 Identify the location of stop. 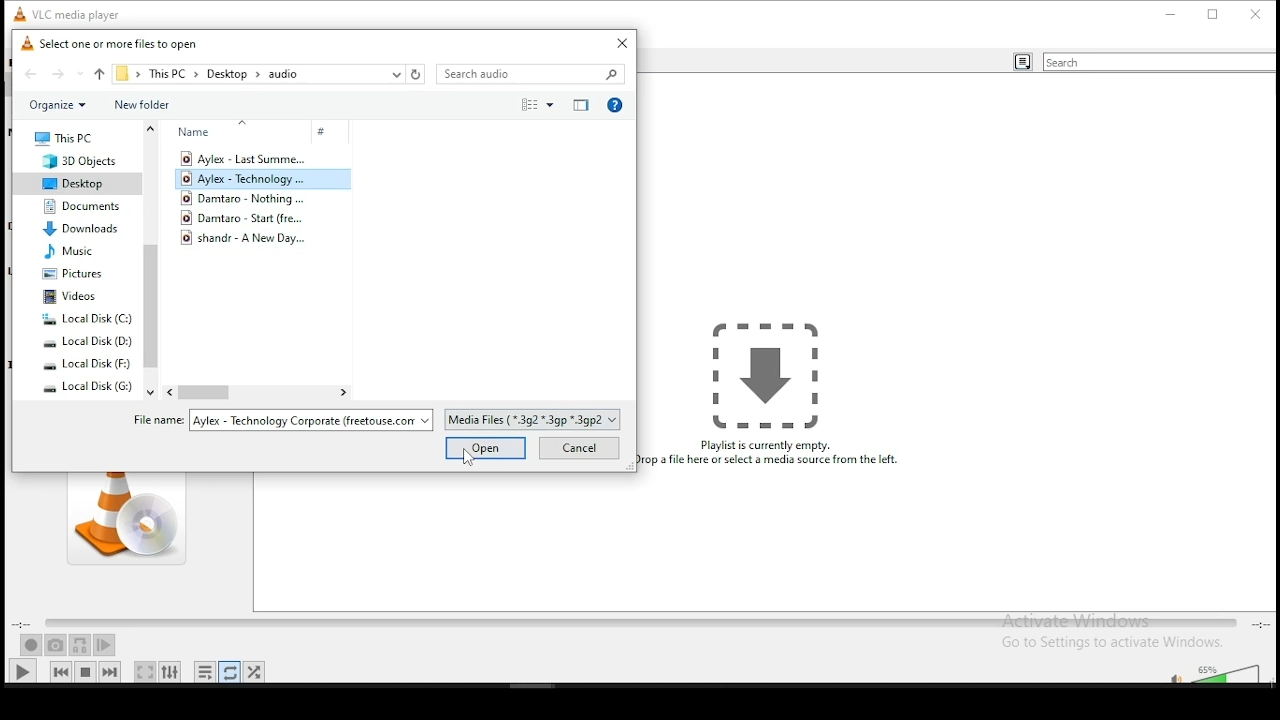
(86, 670).